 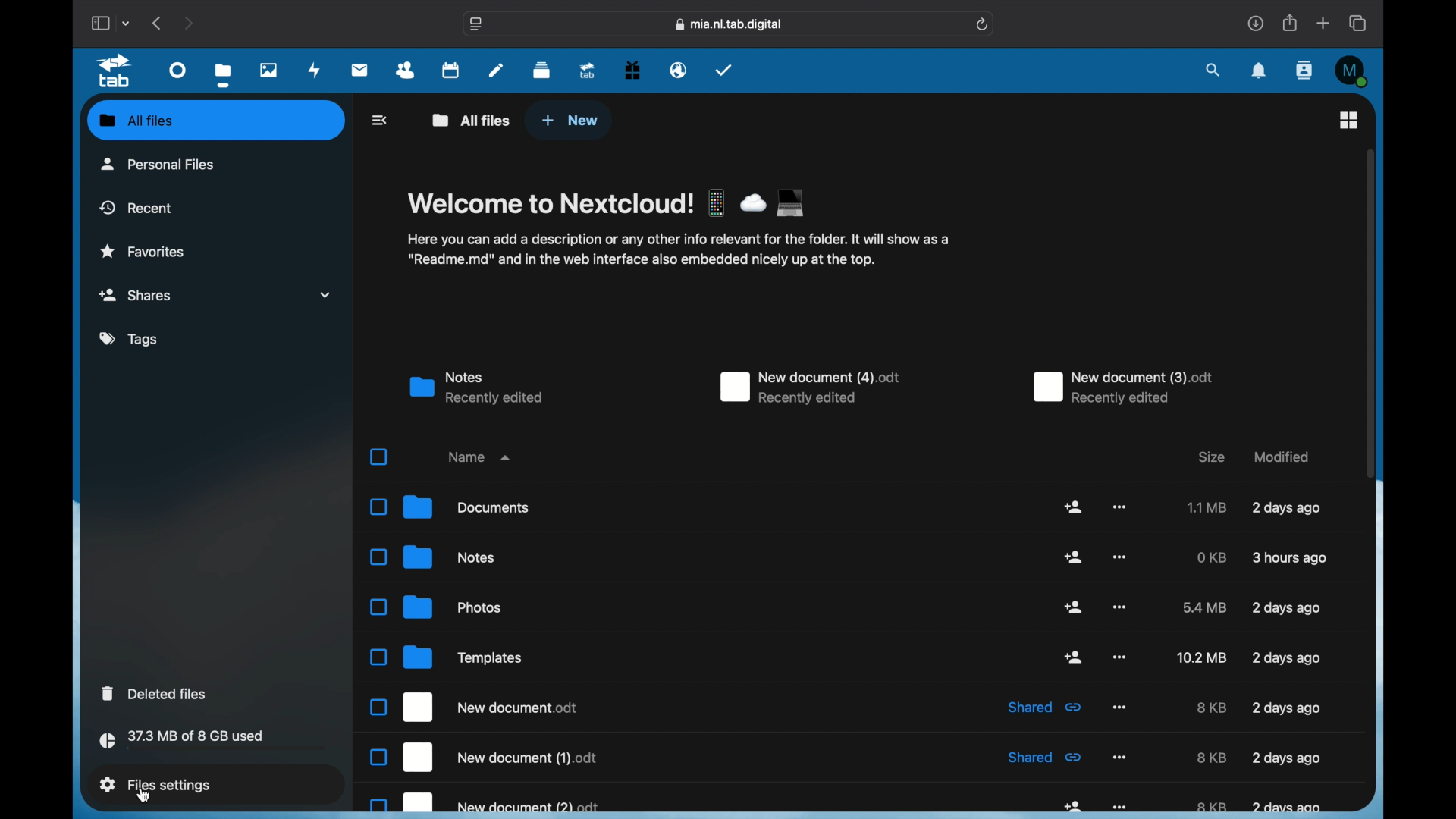 What do you see at coordinates (1119, 706) in the screenshot?
I see `more options` at bounding box center [1119, 706].